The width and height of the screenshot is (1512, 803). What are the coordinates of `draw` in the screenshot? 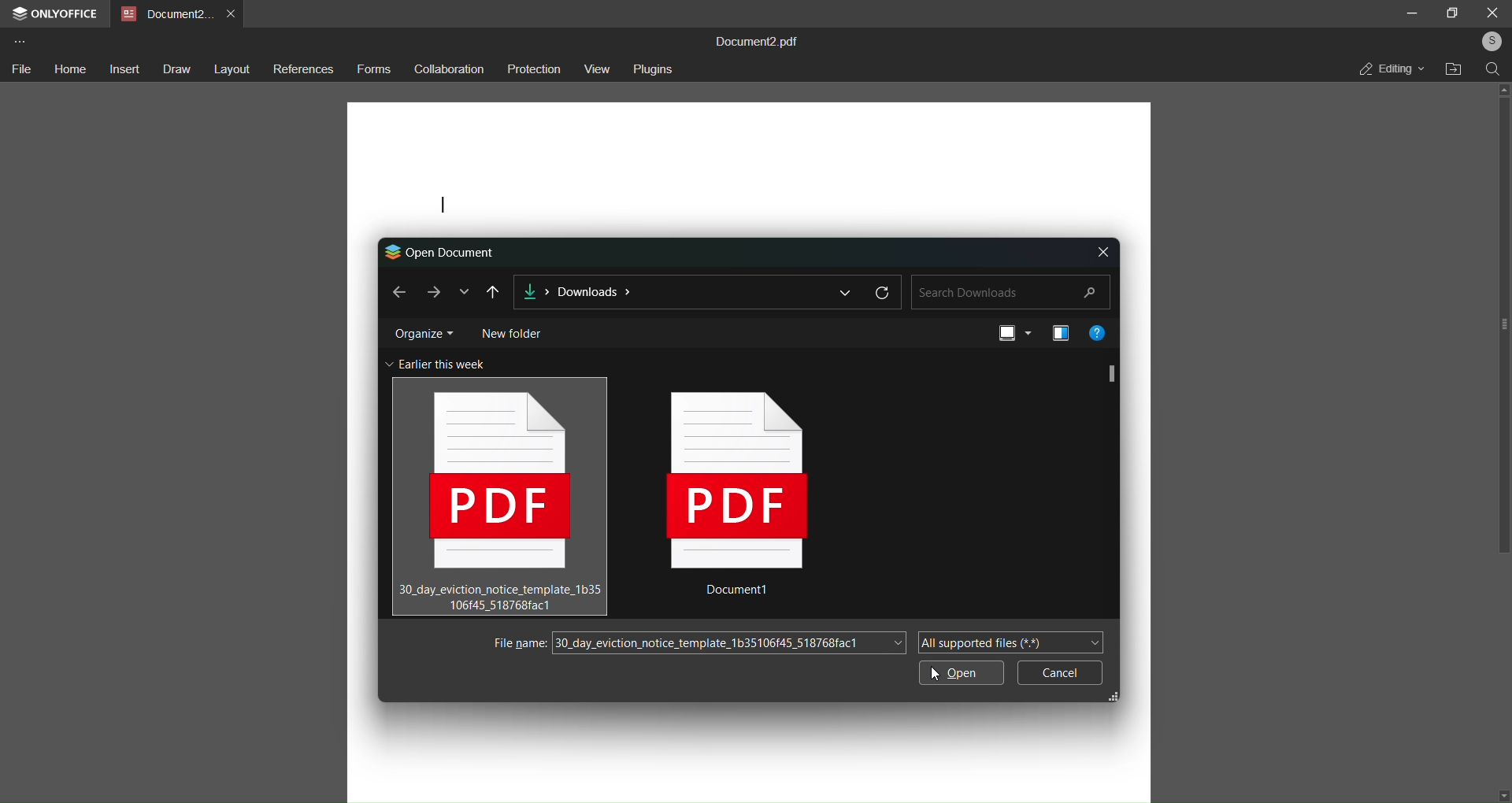 It's located at (175, 70).